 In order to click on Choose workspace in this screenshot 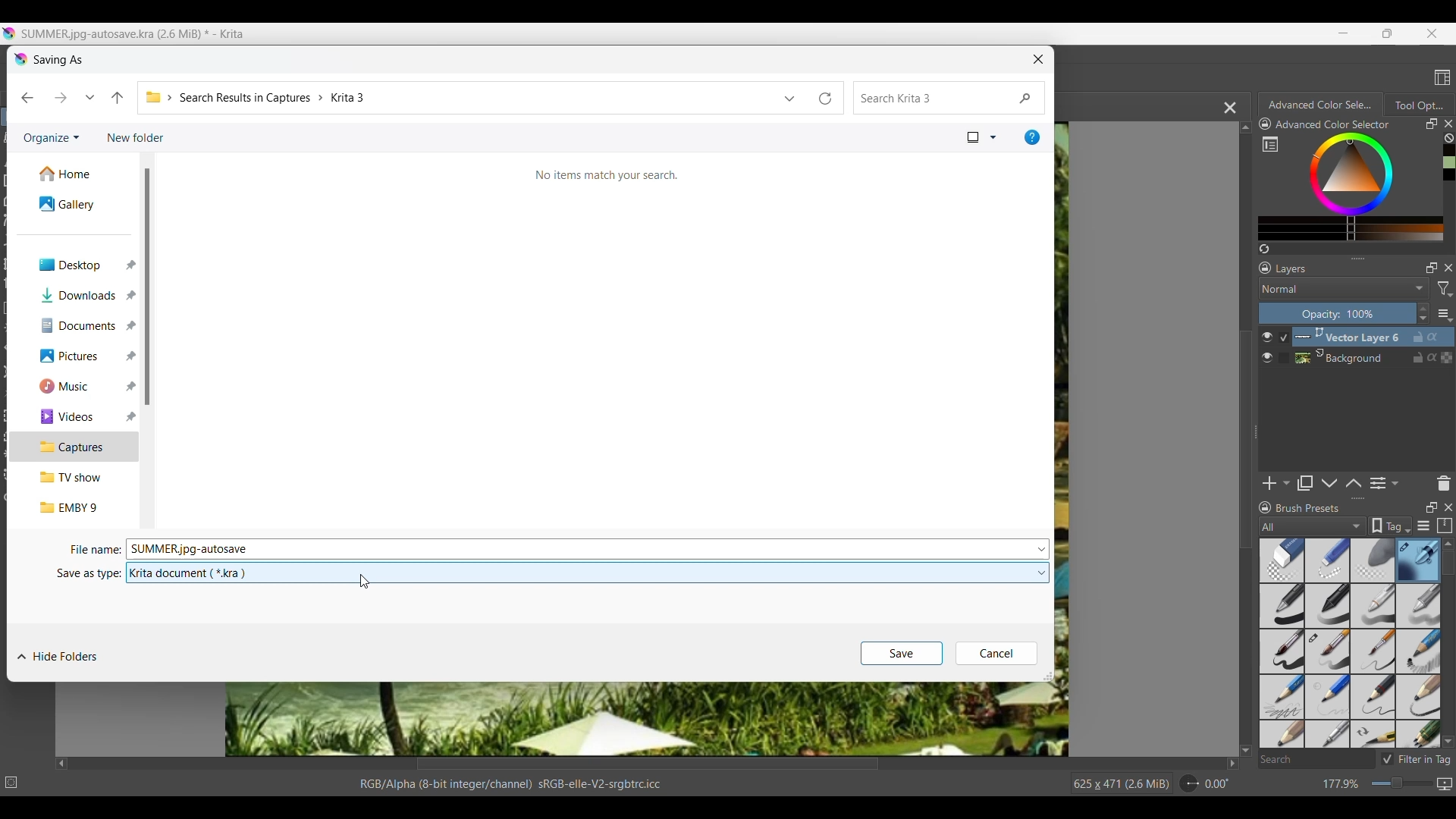, I will do `click(1442, 77)`.